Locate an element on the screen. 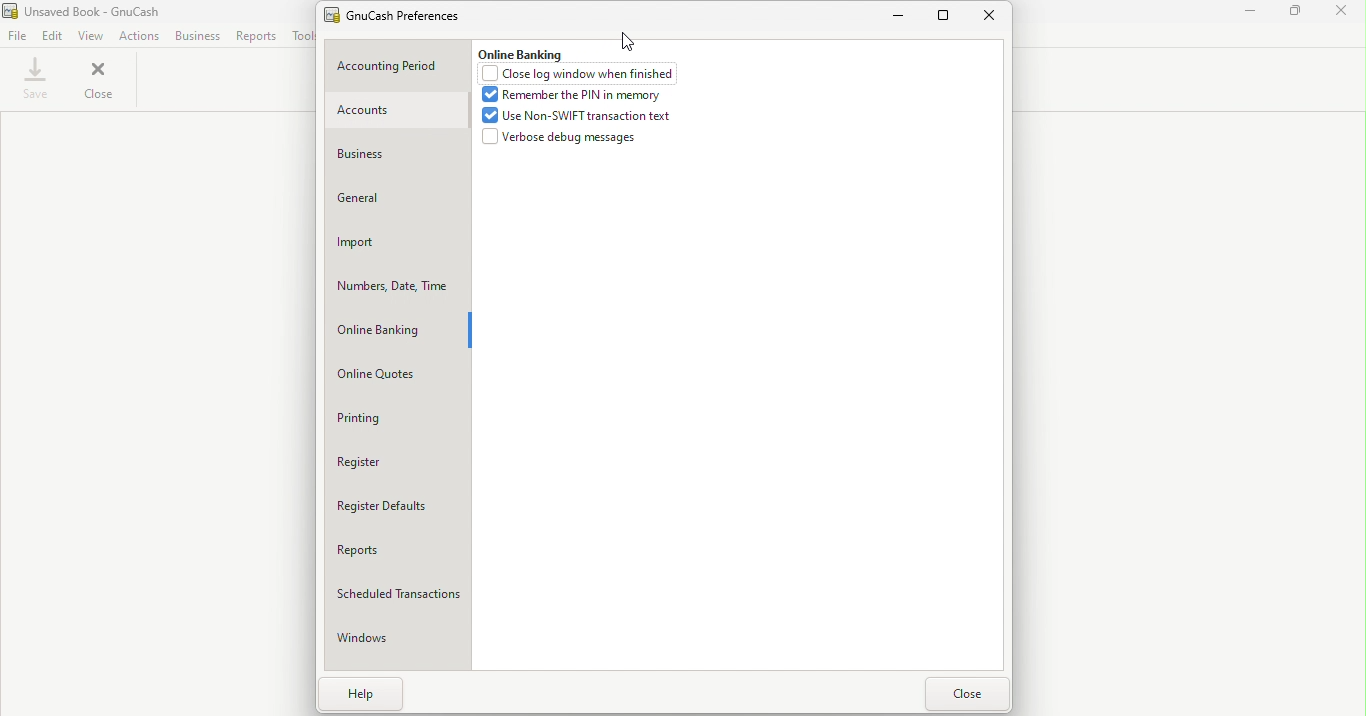 The width and height of the screenshot is (1366, 716). Reports is located at coordinates (399, 550).